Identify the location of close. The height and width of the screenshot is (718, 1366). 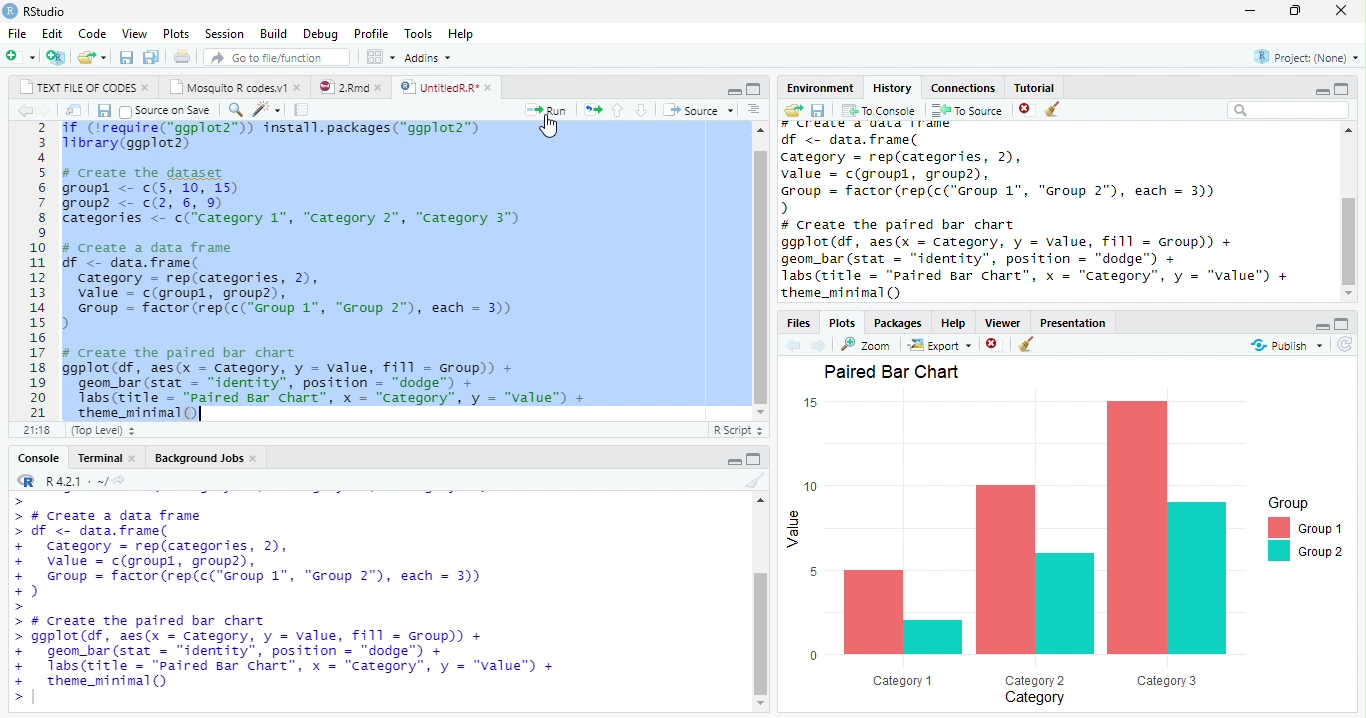
(298, 88).